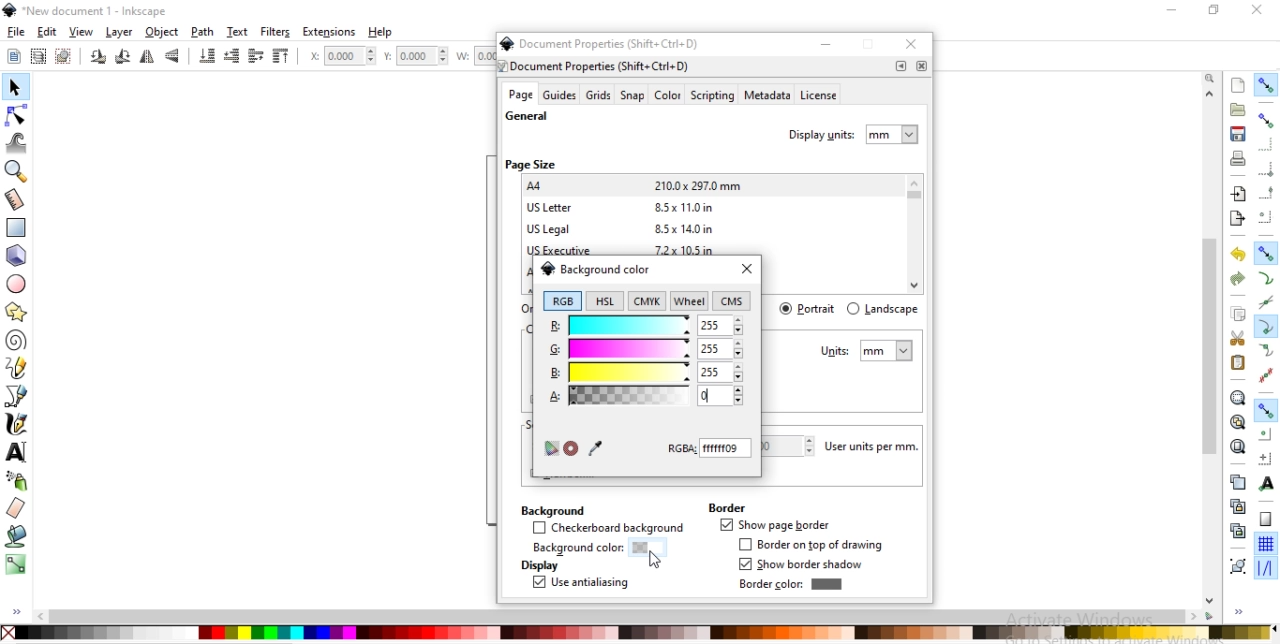  I want to click on minimize, so click(826, 44).